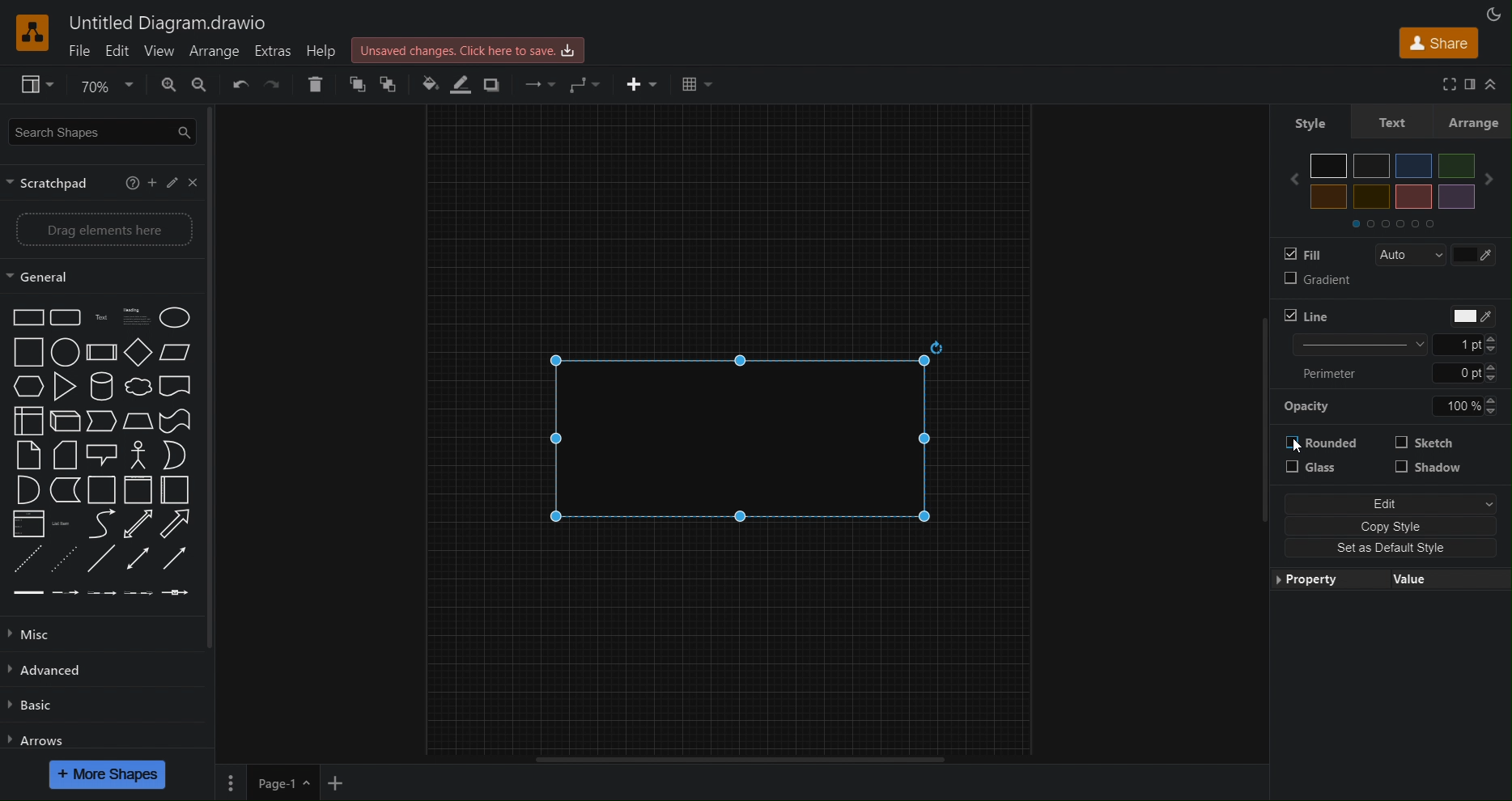 The image size is (1512, 801). Describe the element at coordinates (155, 184) in the screenshot. I see `add` at that location.